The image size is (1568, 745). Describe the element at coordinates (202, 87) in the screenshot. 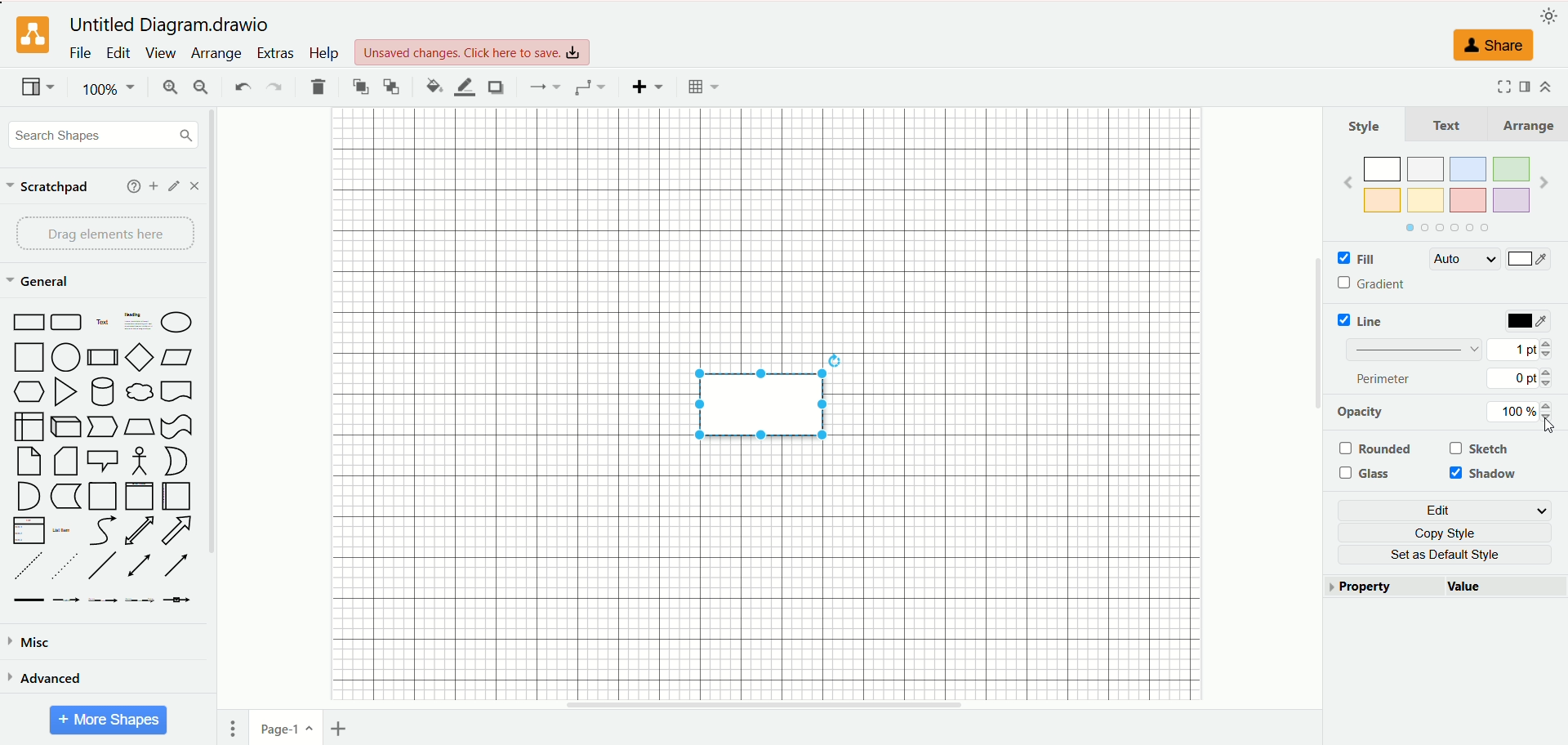

I see `zoom out` at that location.